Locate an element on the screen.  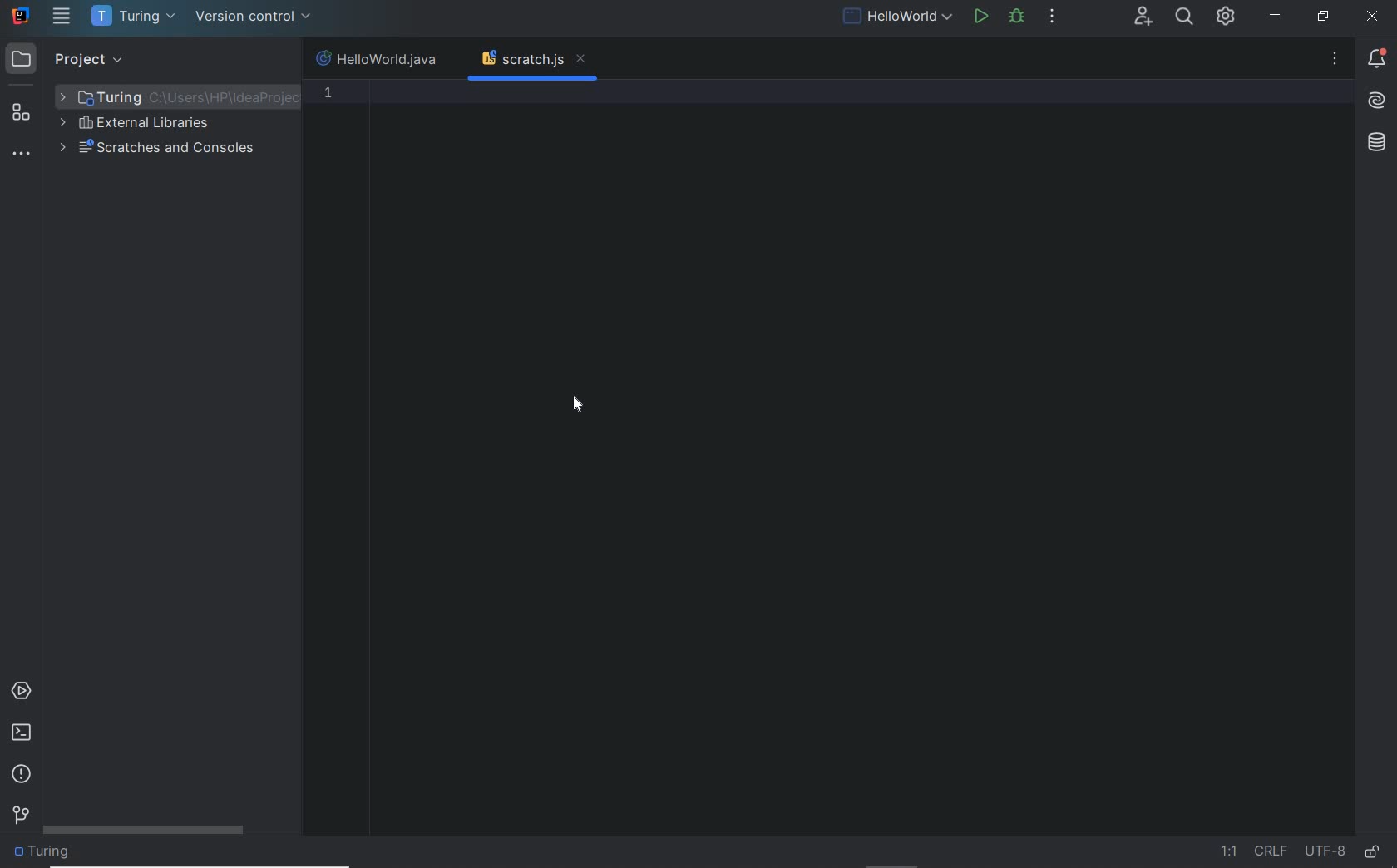
debug is located at coordinates (1020, 18).